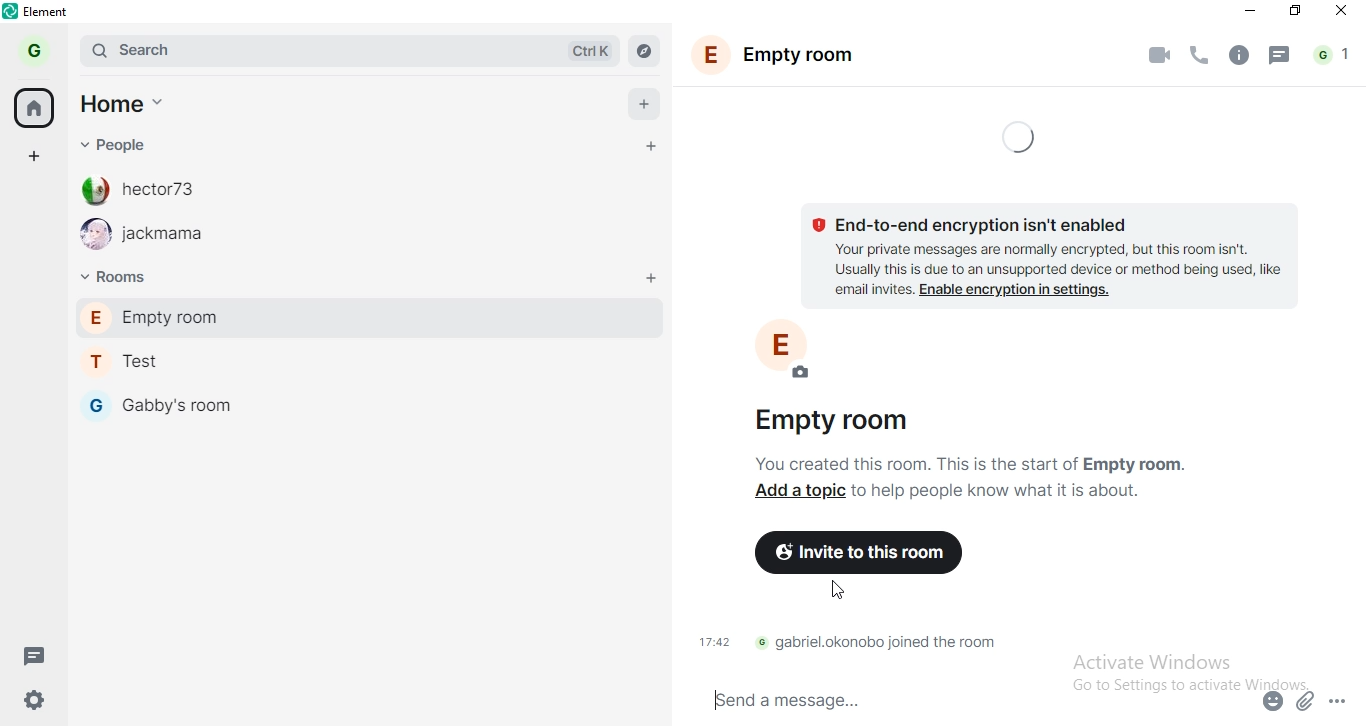  Describe the element at coordinates (1201, 54) in the screenshot. I see `phone` at that location.